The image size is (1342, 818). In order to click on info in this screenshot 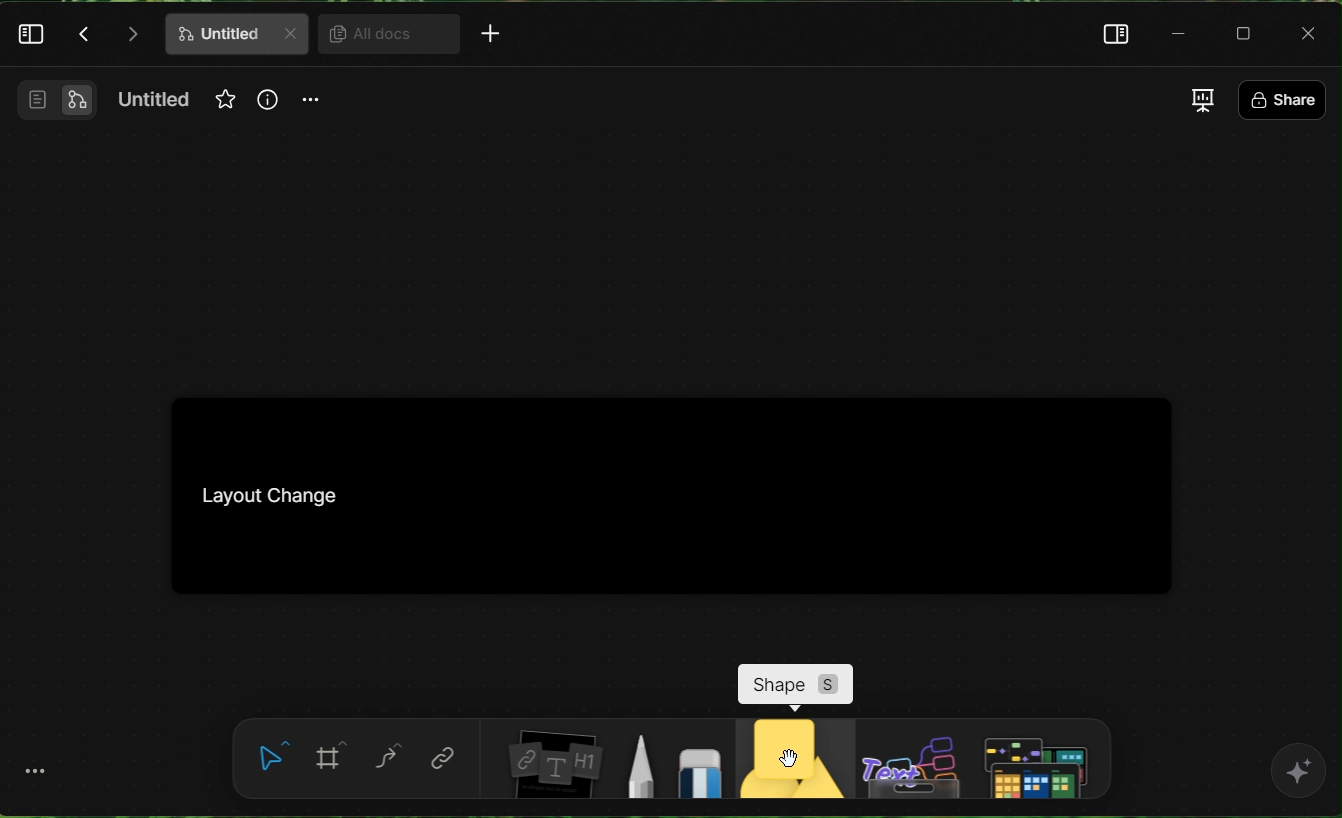, I will do `click(266, 109)`.